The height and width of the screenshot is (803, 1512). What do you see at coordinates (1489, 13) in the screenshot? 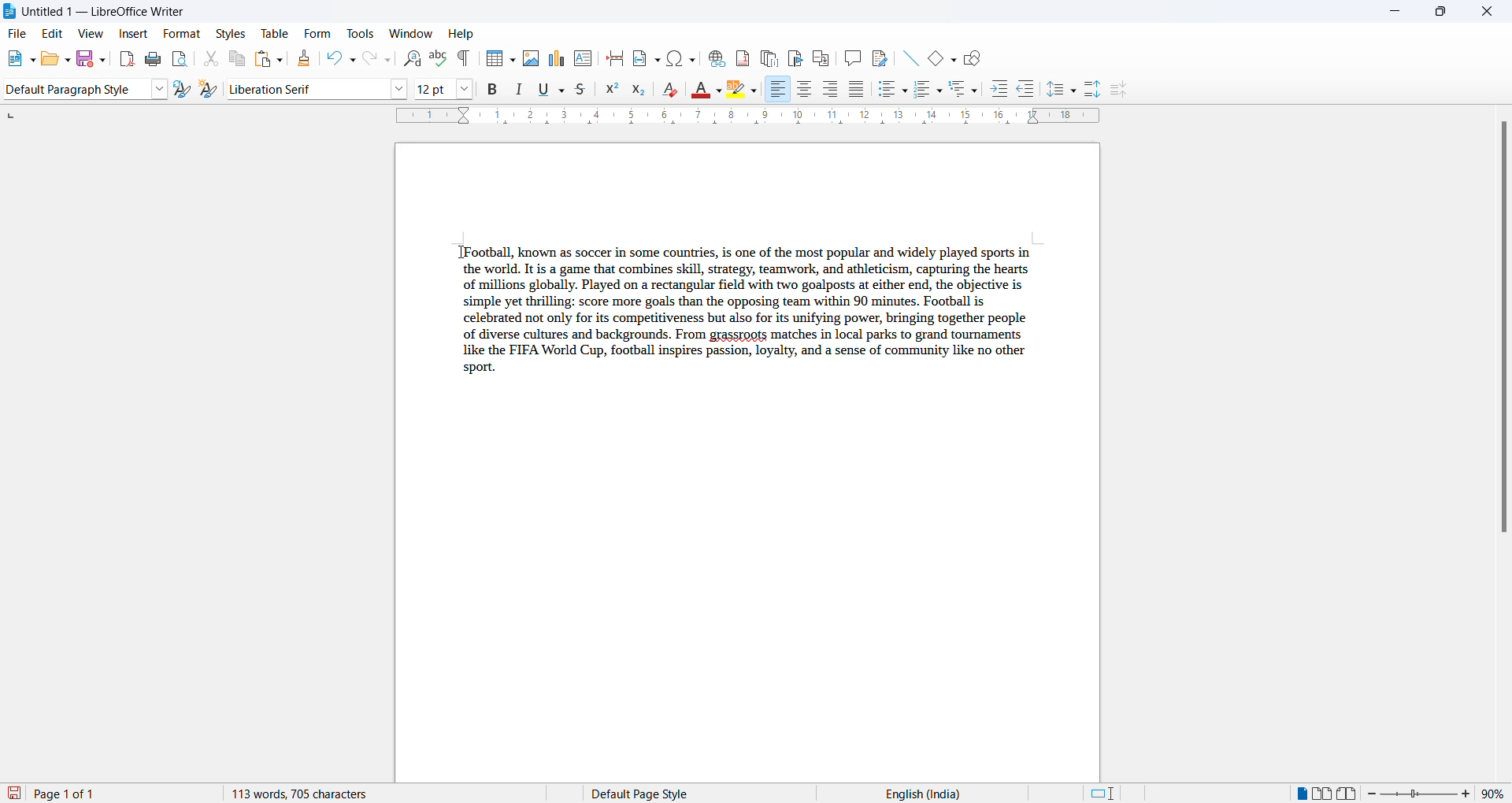
I see `close` at bounding box center [1489, 13].